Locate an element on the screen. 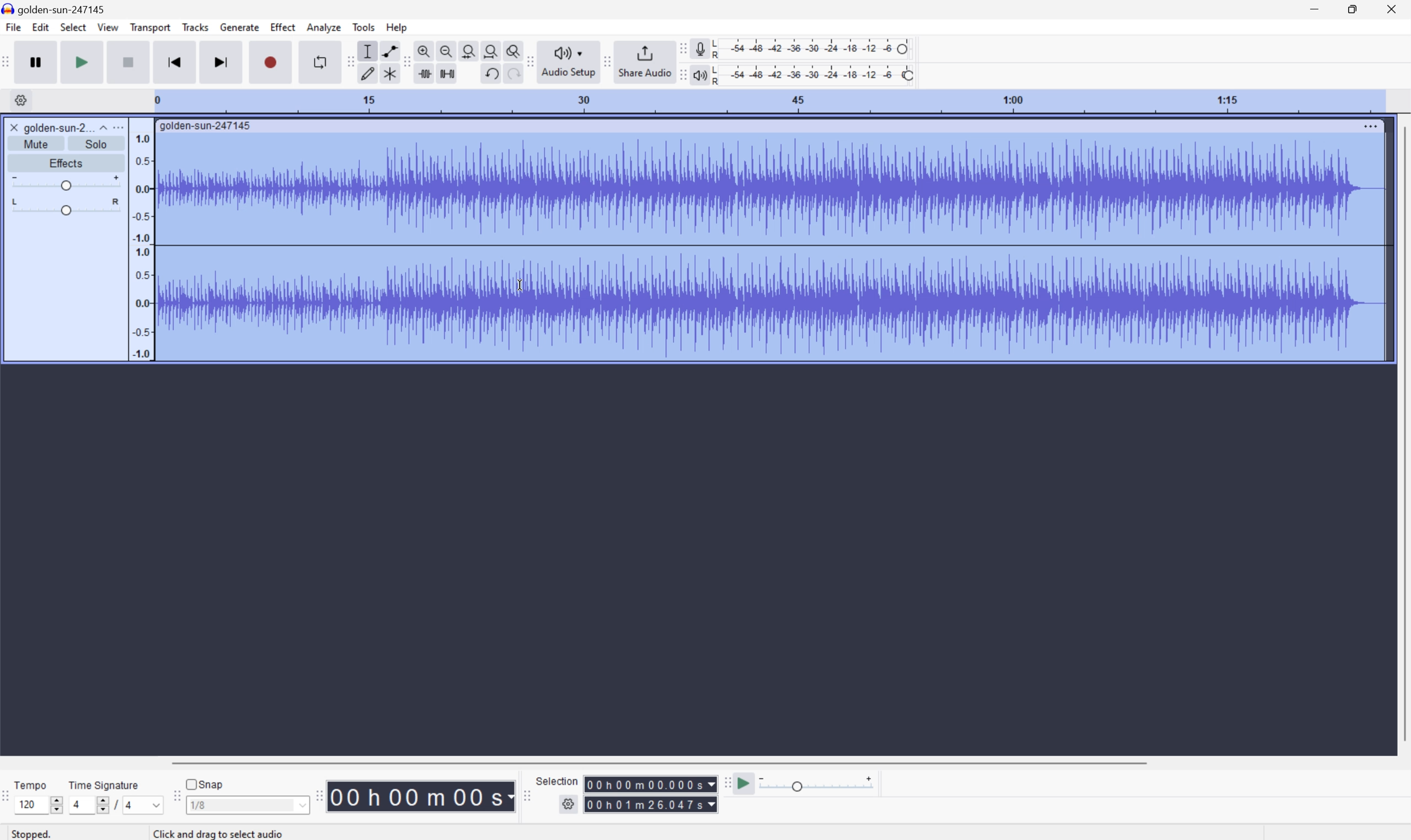 The width and height of the screenshot is (1411, 840). More is located at coordinates (1370, 126).